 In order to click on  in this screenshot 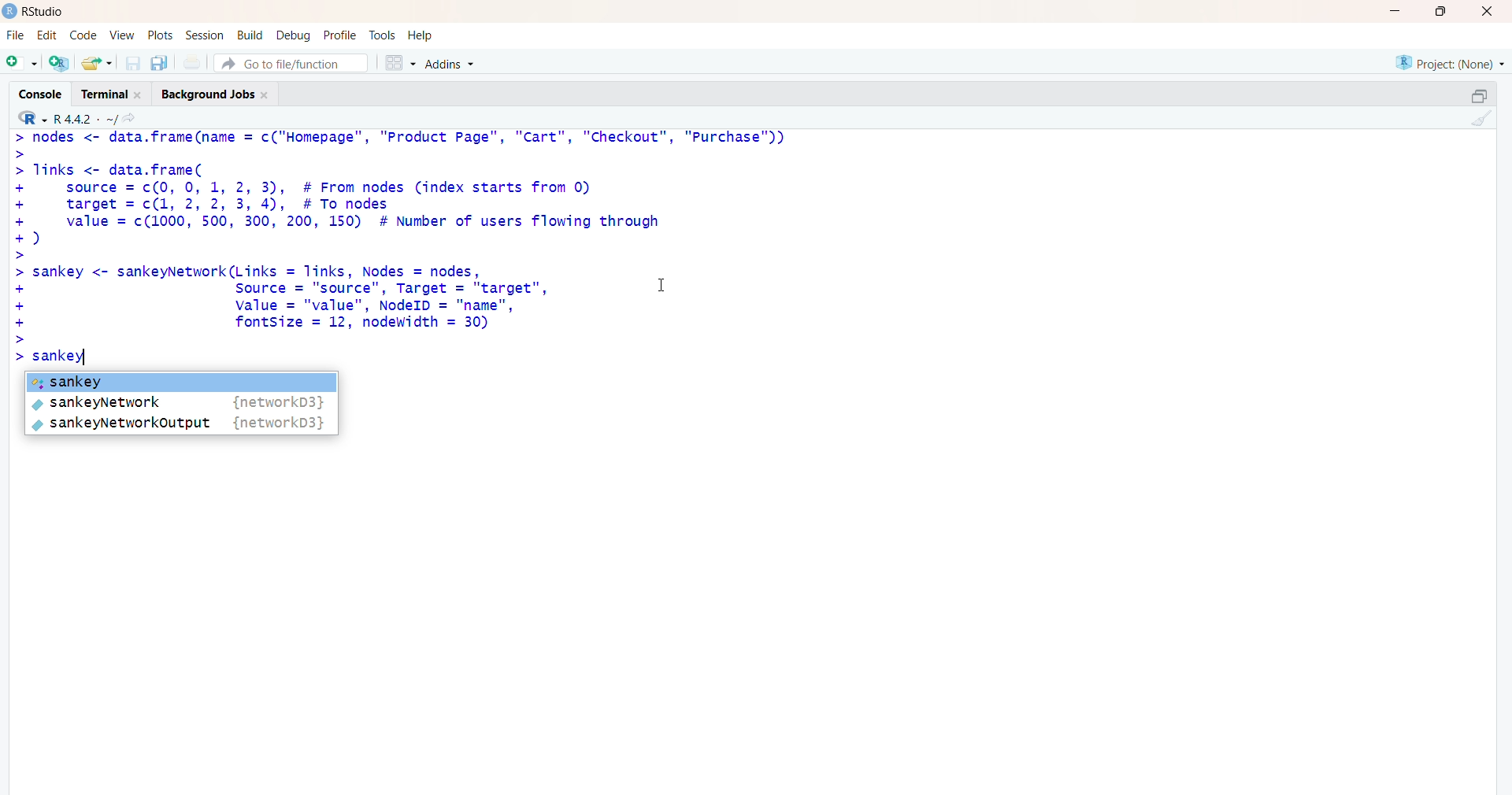, I will do `click(82, 34)`.